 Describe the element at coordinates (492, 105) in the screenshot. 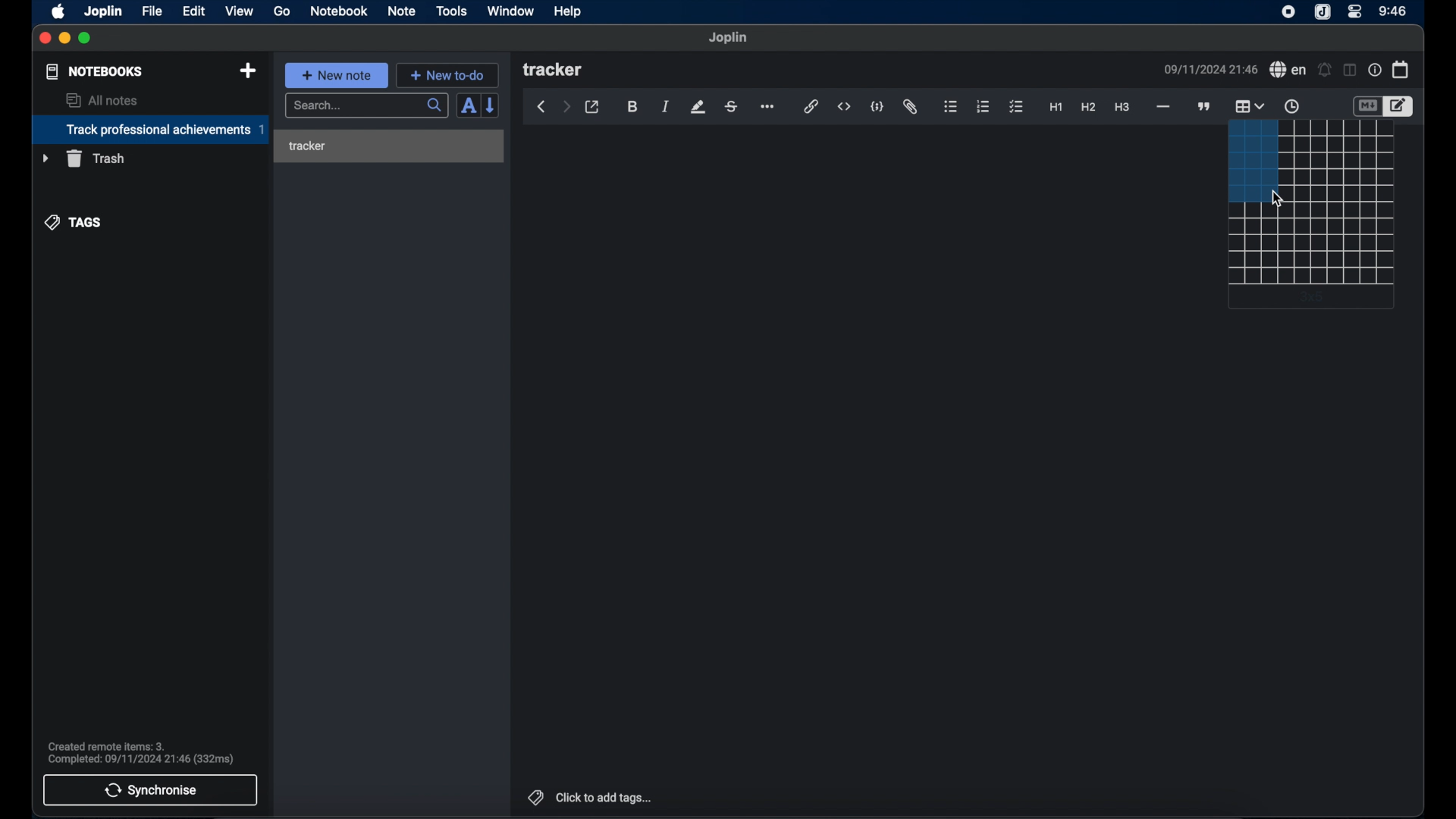

I see `reverse sort order` at that location.